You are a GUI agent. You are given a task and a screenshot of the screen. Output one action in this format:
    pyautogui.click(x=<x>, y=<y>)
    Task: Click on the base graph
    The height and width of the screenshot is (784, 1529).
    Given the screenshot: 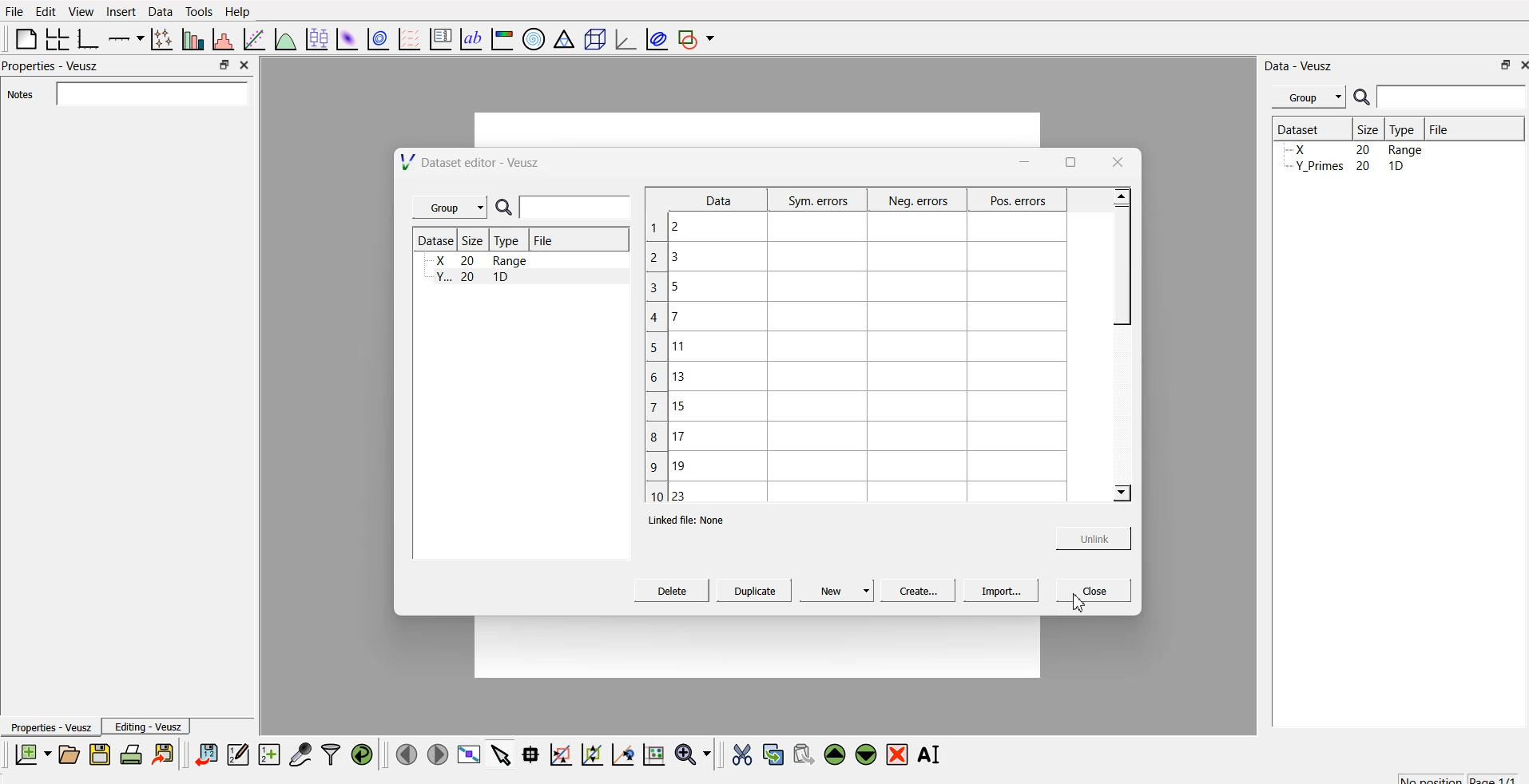 What is the action you would take?
    pyautogui.click(x=85, y=37)
    